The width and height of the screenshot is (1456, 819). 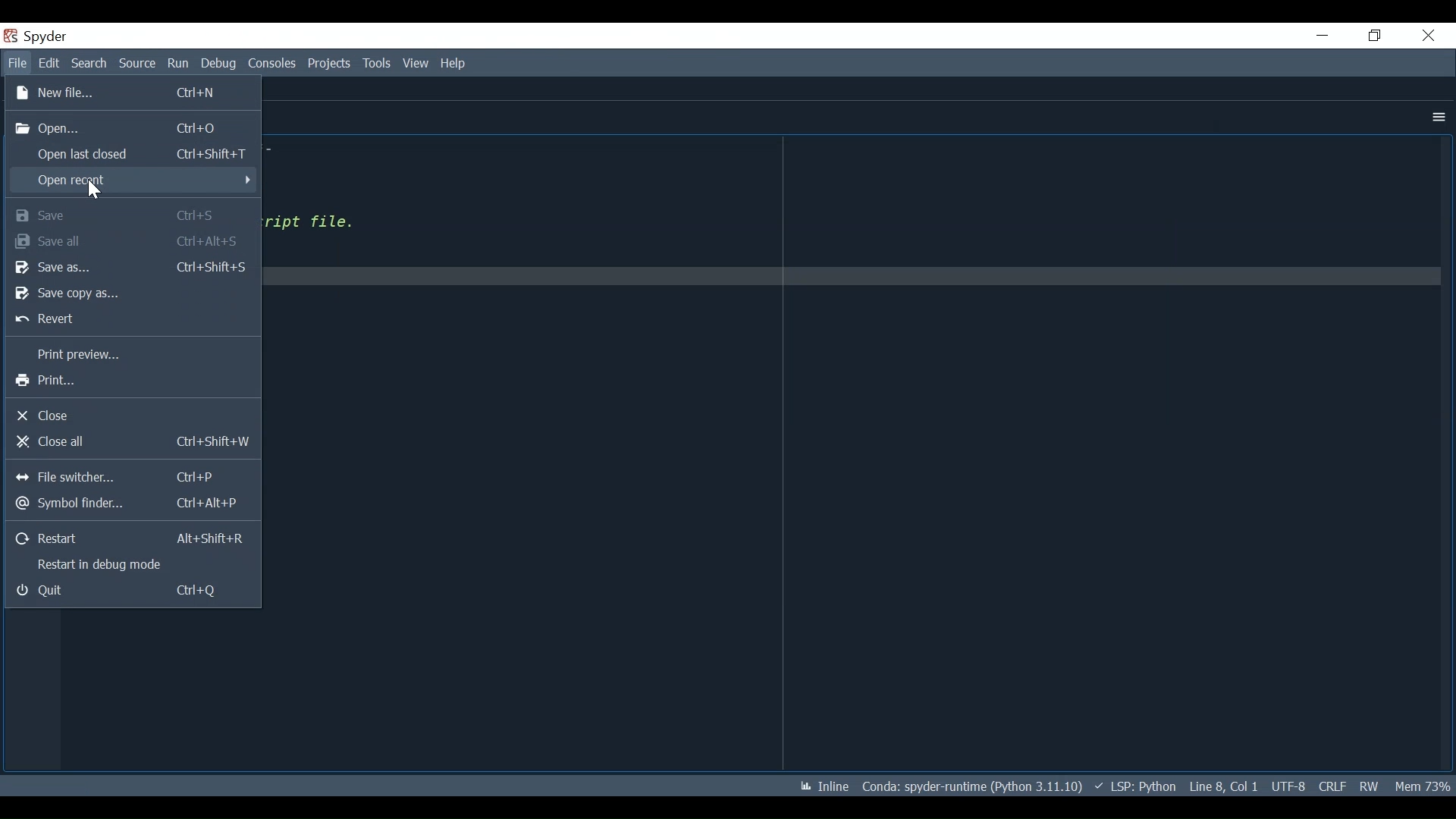 What do you see at coordinates (138, 63) in the screenshot?
I see `Source` at bounding box center [138, 63].